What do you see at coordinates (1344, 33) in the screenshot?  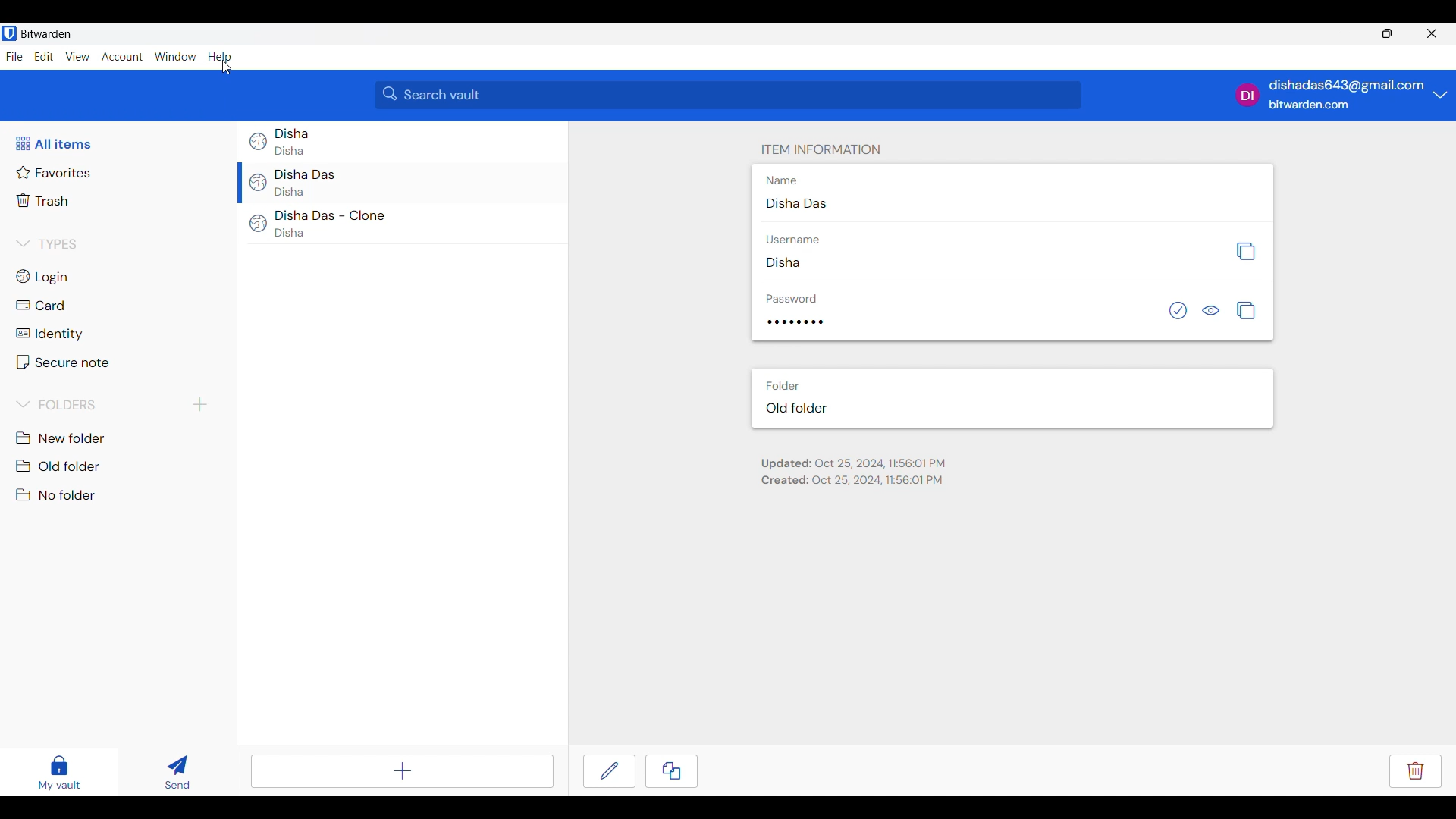 I see `Minimize` at bounding box center [1344, 33].